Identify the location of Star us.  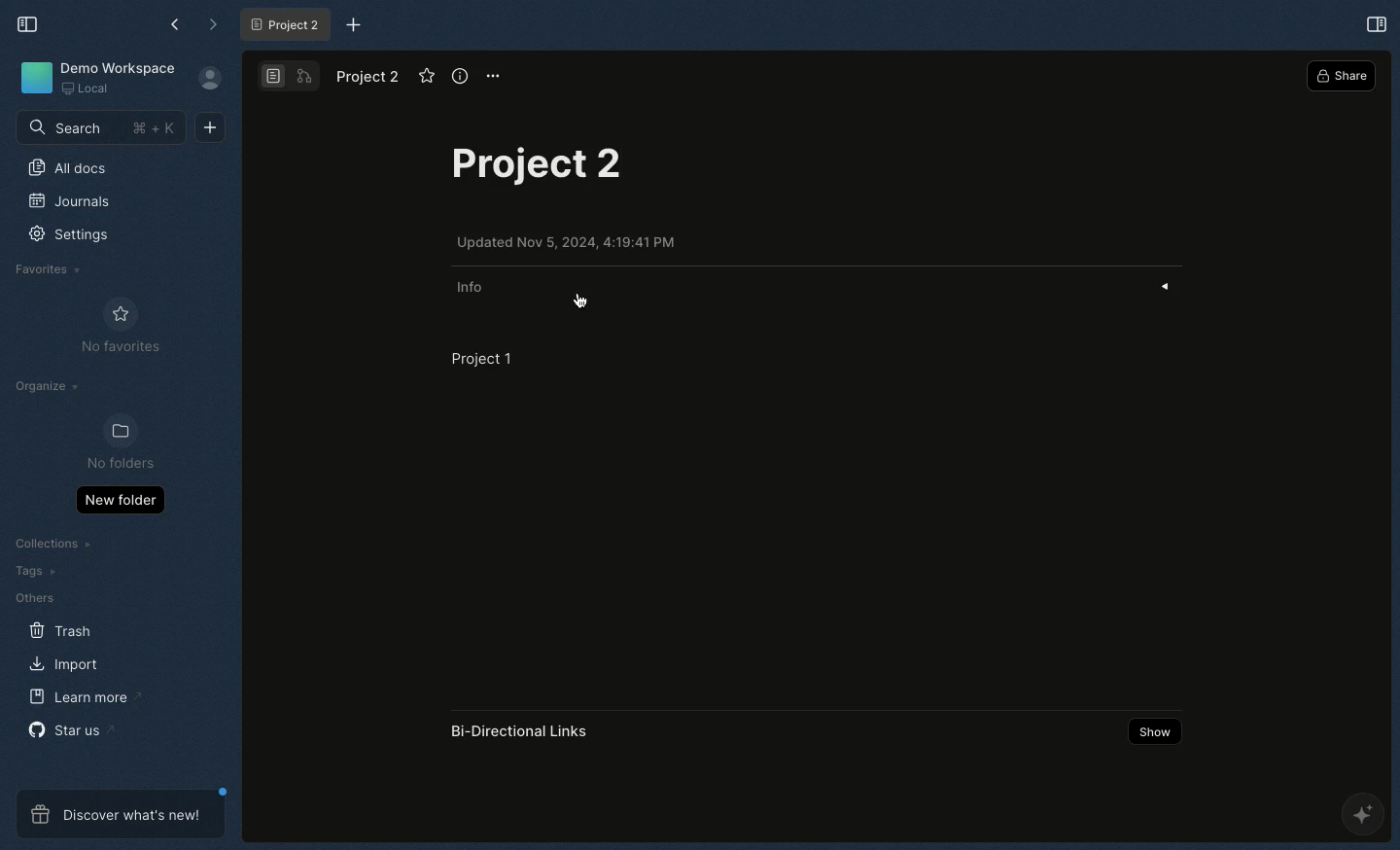
(68, 728).